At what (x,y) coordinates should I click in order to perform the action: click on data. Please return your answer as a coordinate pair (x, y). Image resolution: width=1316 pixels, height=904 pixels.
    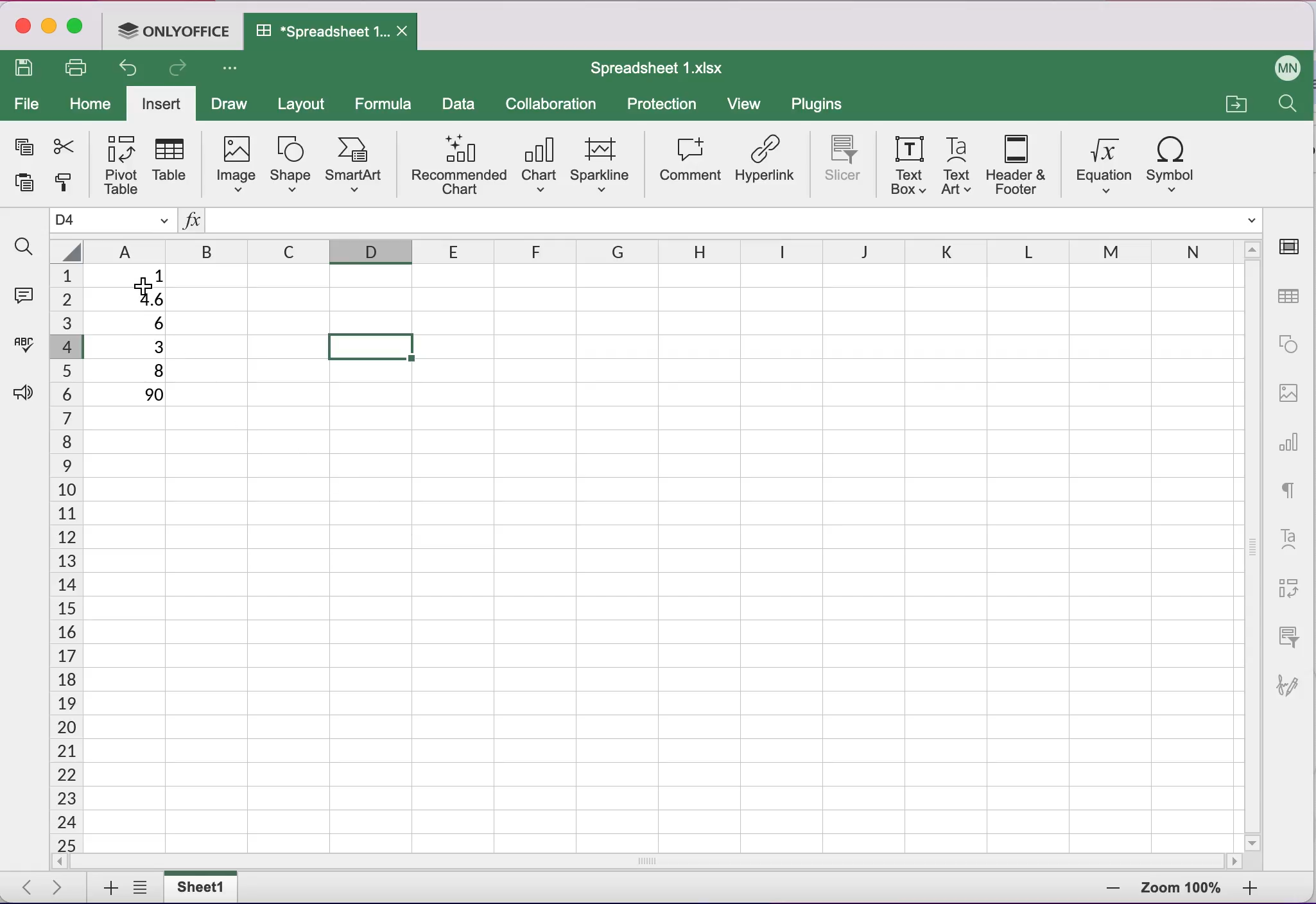
    Looking at the image, I should click on (460, 105).